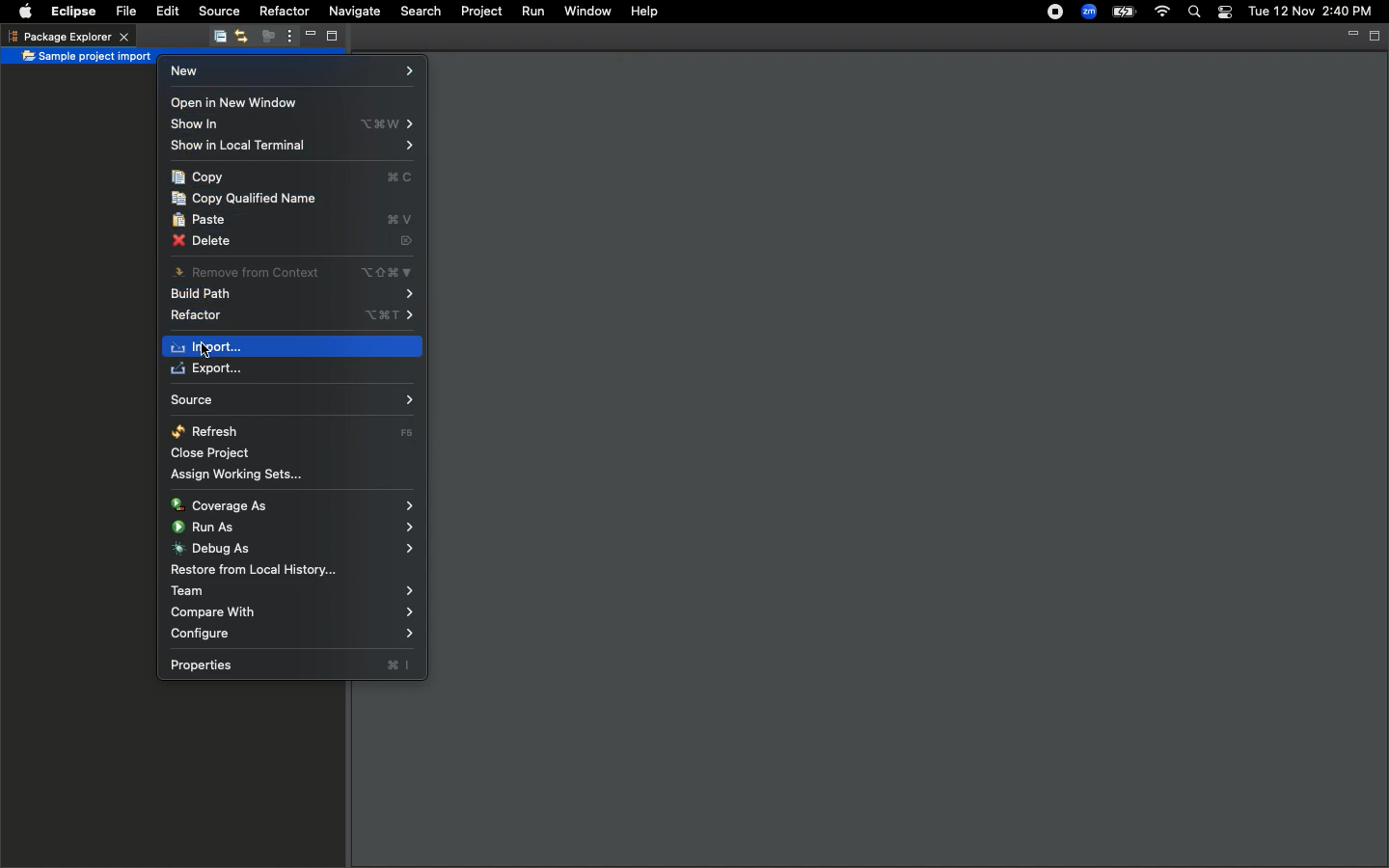  I want to click on Refresh, so click(293, 430).